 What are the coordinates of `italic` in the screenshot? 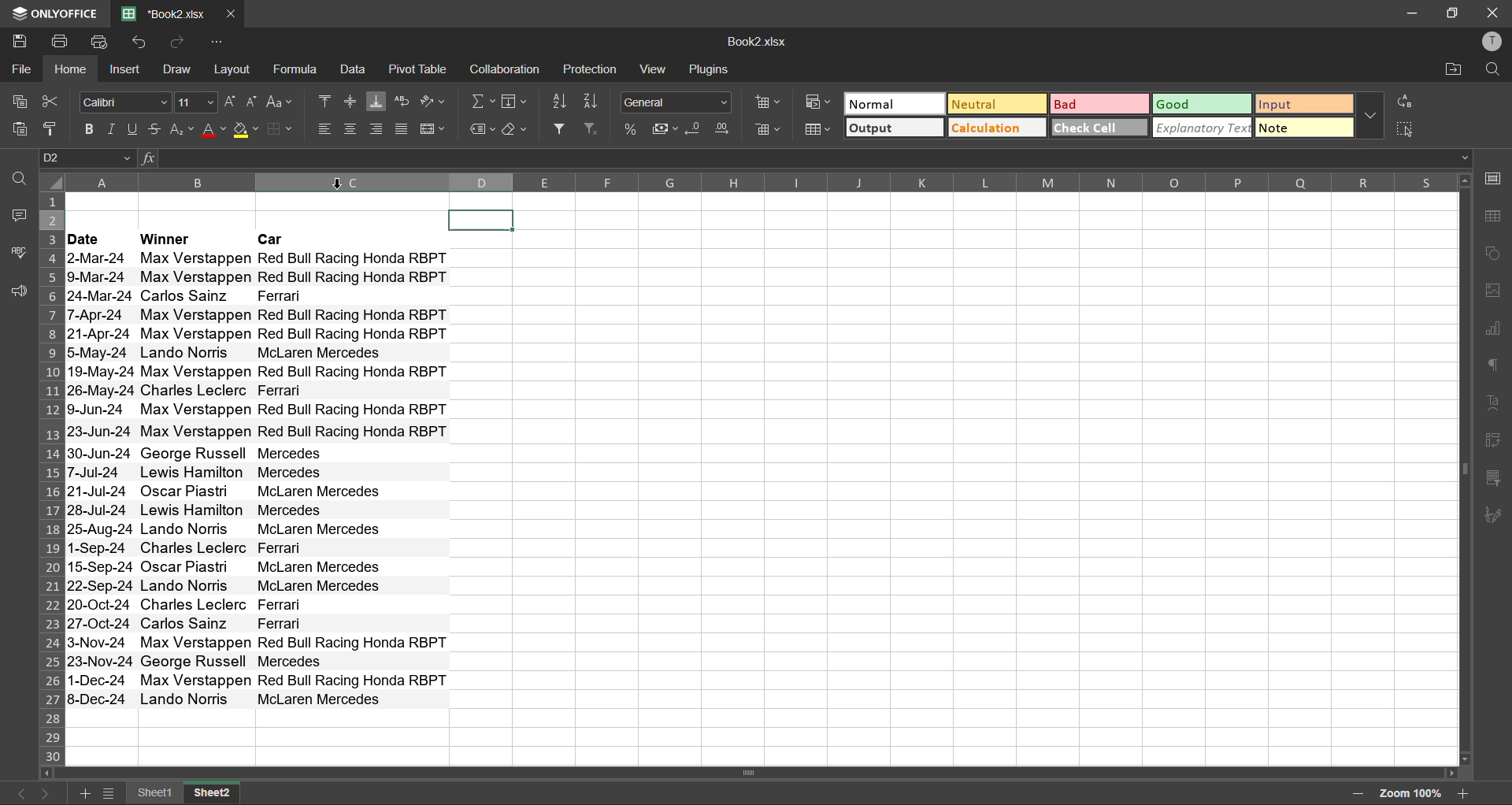 It's located at (112, 130).